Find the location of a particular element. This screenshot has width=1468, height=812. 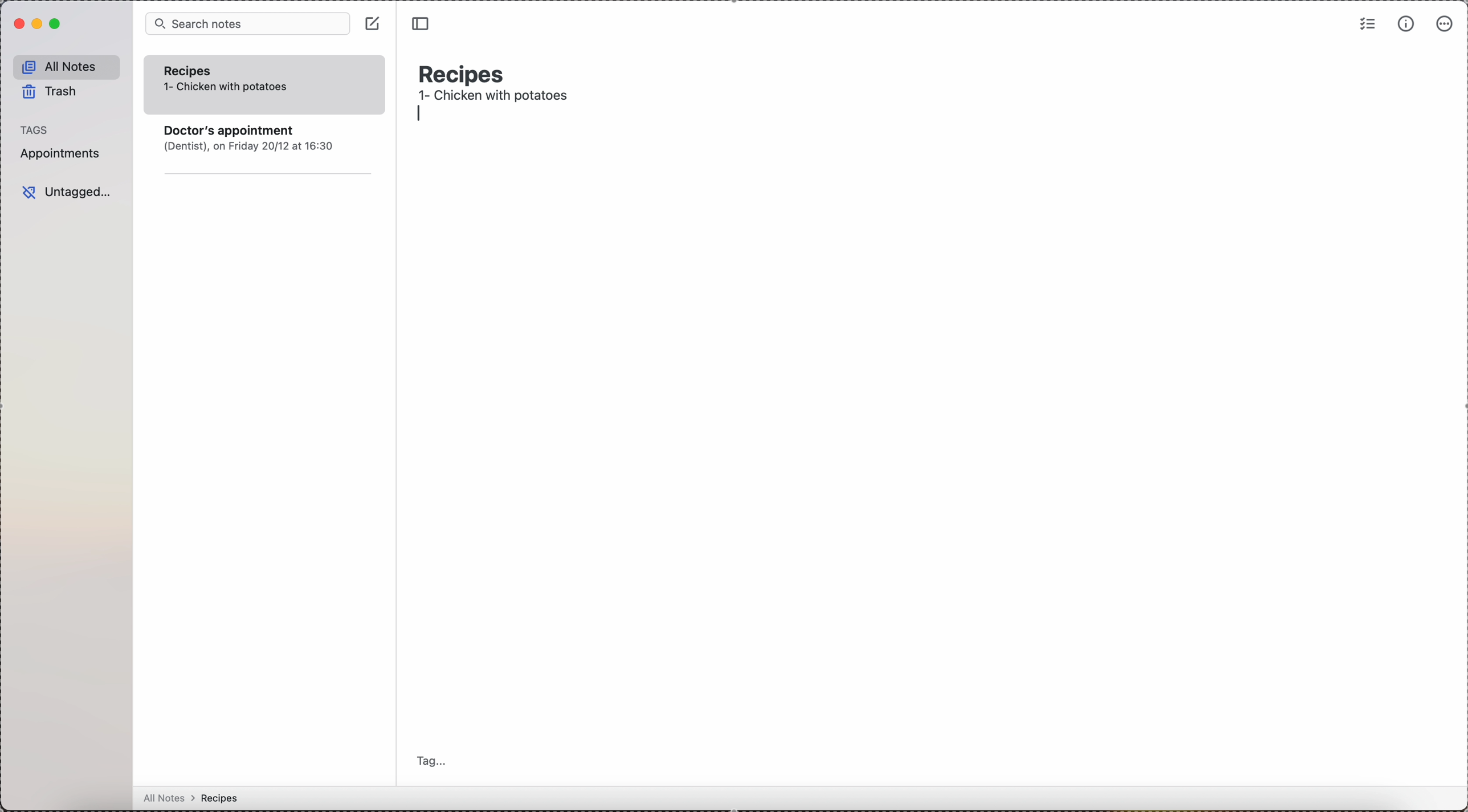

enter is located at coordinates (417, 117).